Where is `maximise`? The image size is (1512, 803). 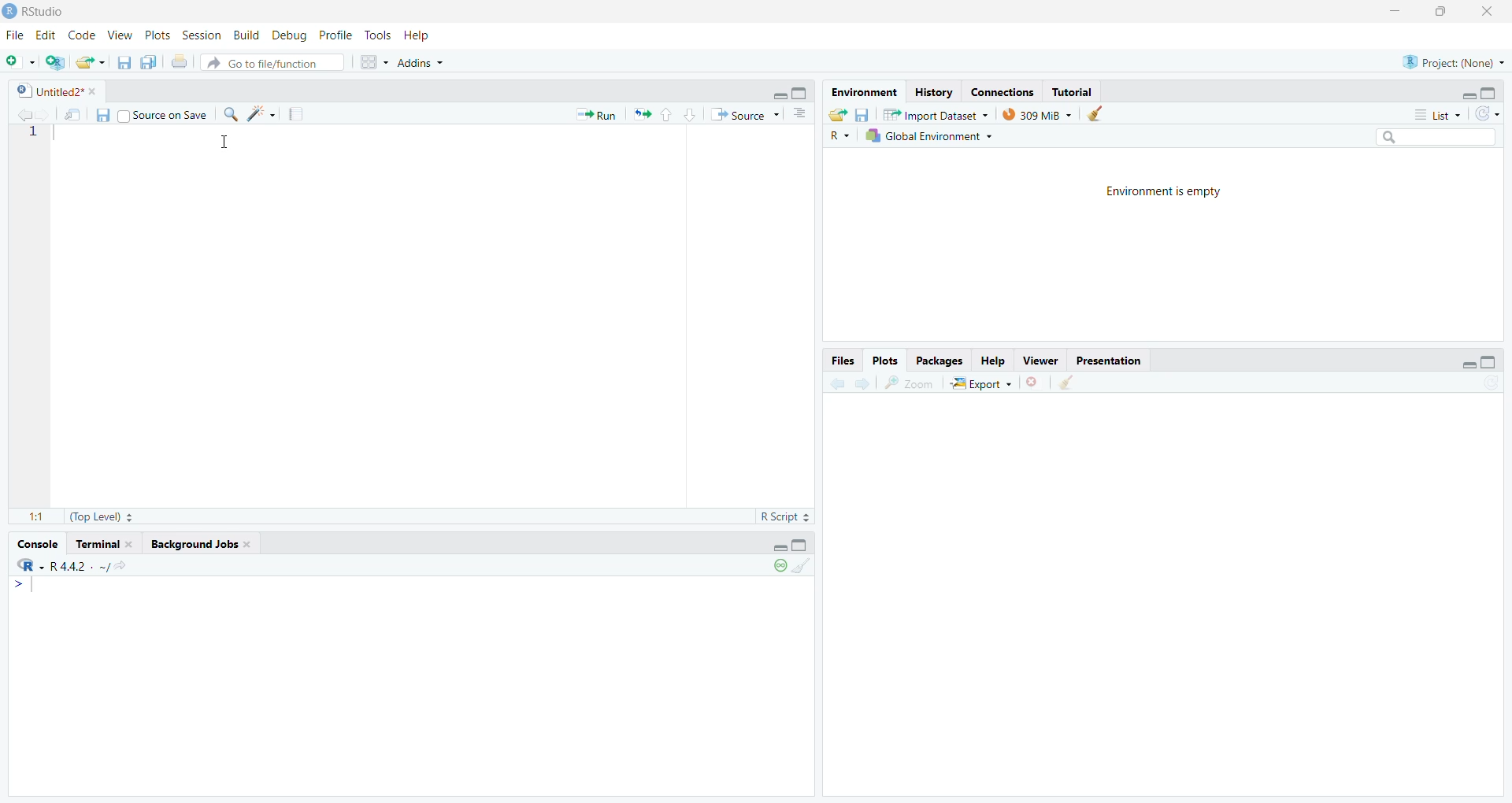 maximise is located at coordinates (1495, 92).